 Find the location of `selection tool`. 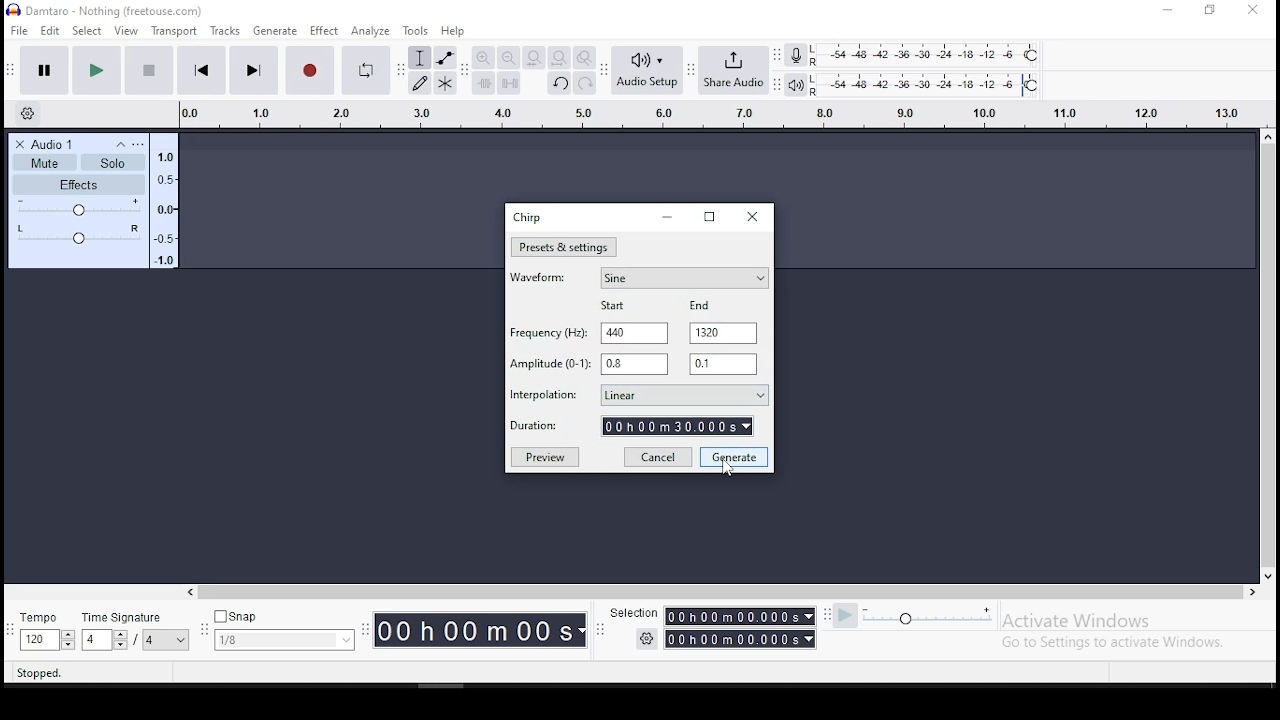

selection tool is located at coordinates (420, 57).